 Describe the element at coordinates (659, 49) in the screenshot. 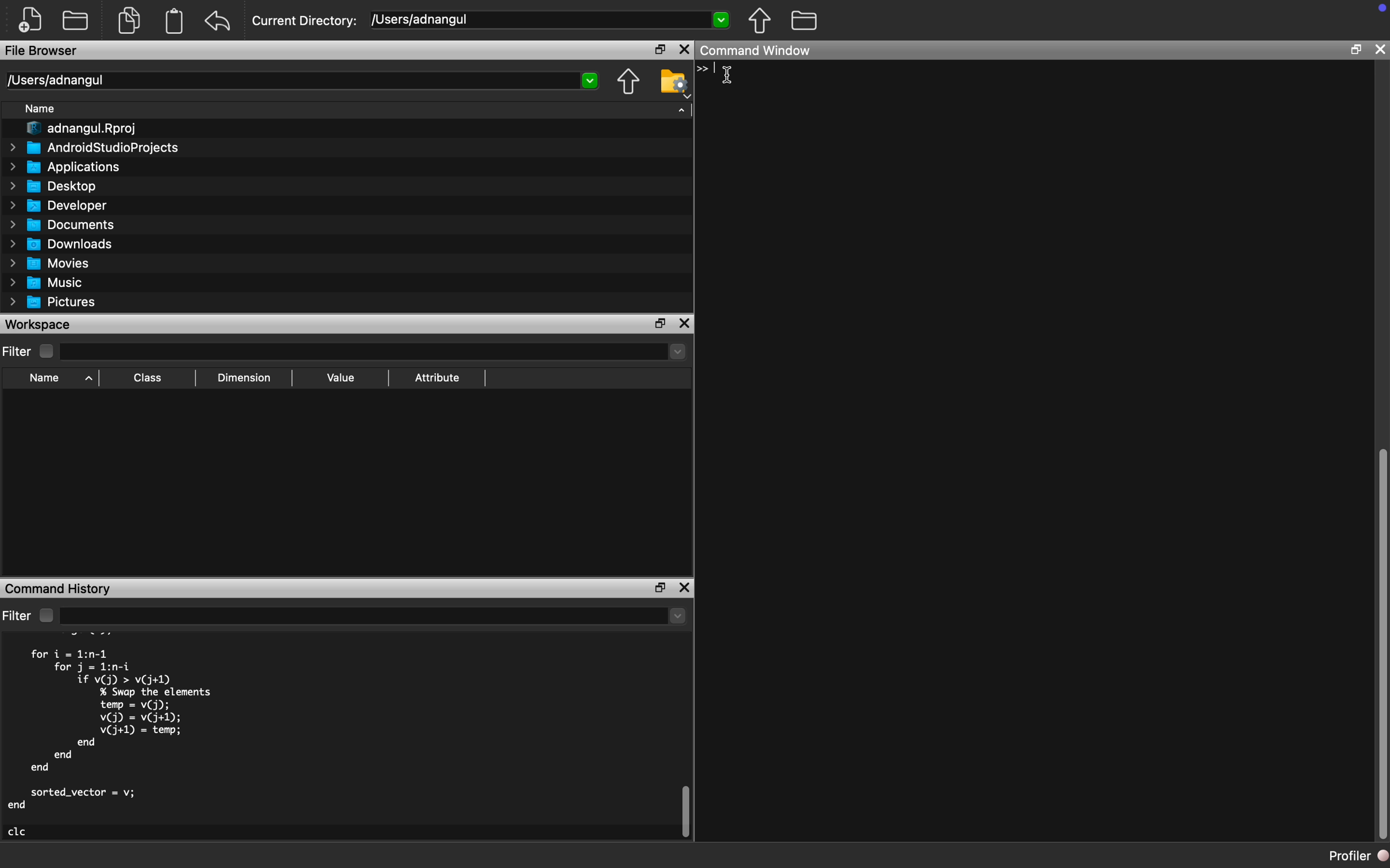

I see `Restore Down` at that location.